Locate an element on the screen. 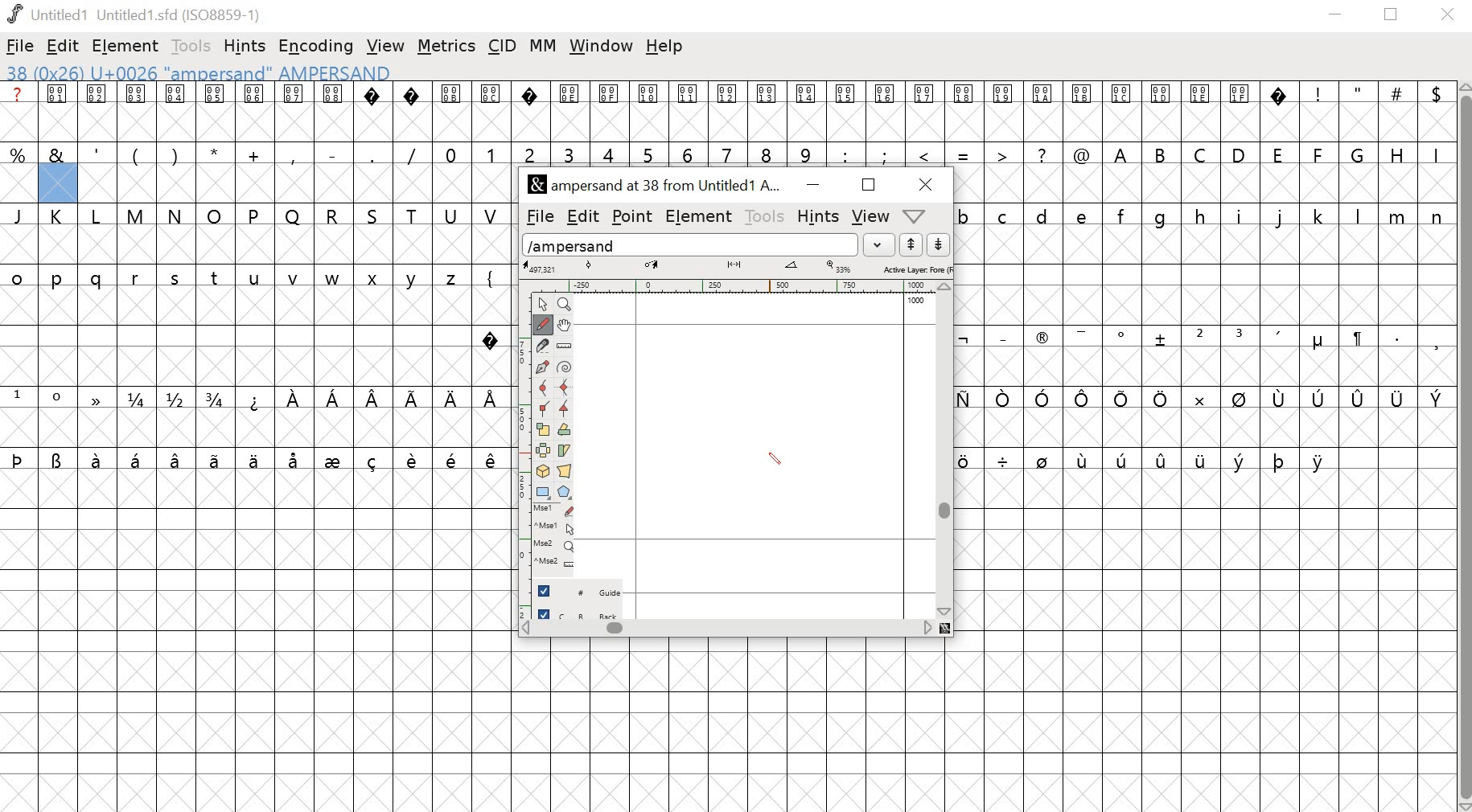 Image resolution: width=1472 pixels, height=812 pixels. ampersand at 38 from Untitled1 A... is located at coordinates (657, 186).